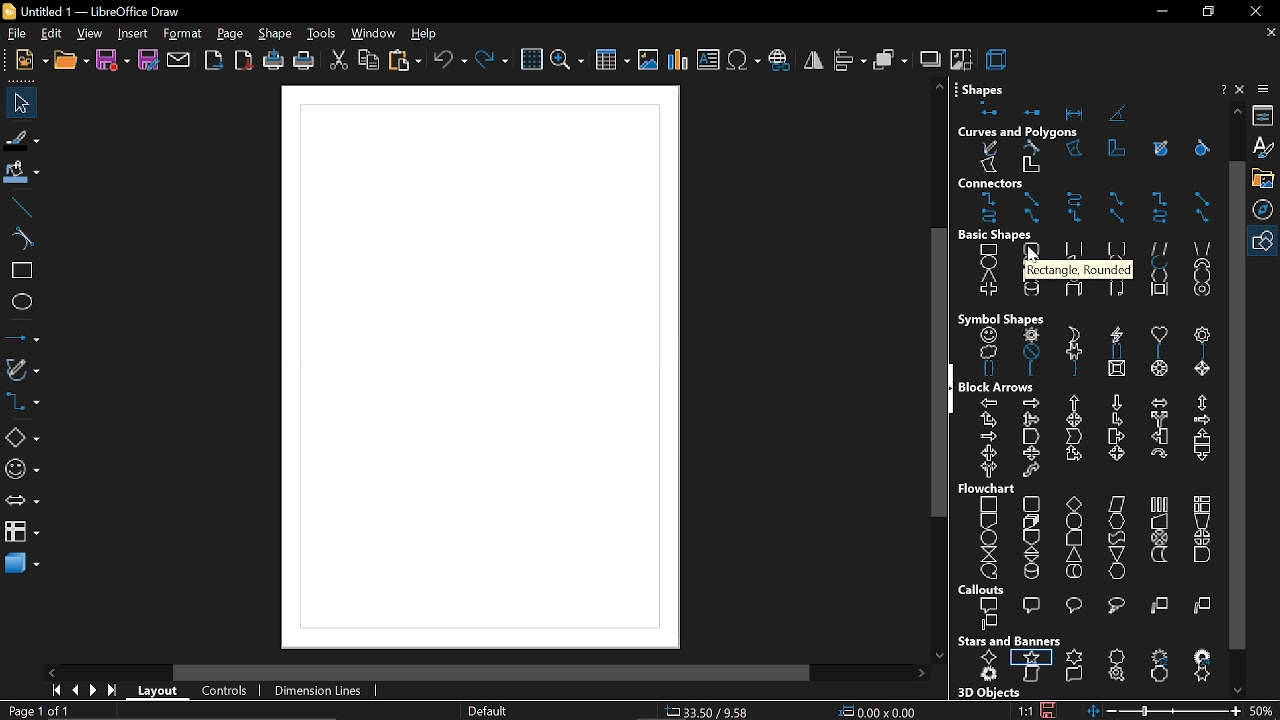 The image size is (1280, 720). I want to click on basic shapes, so click(1265, 242).